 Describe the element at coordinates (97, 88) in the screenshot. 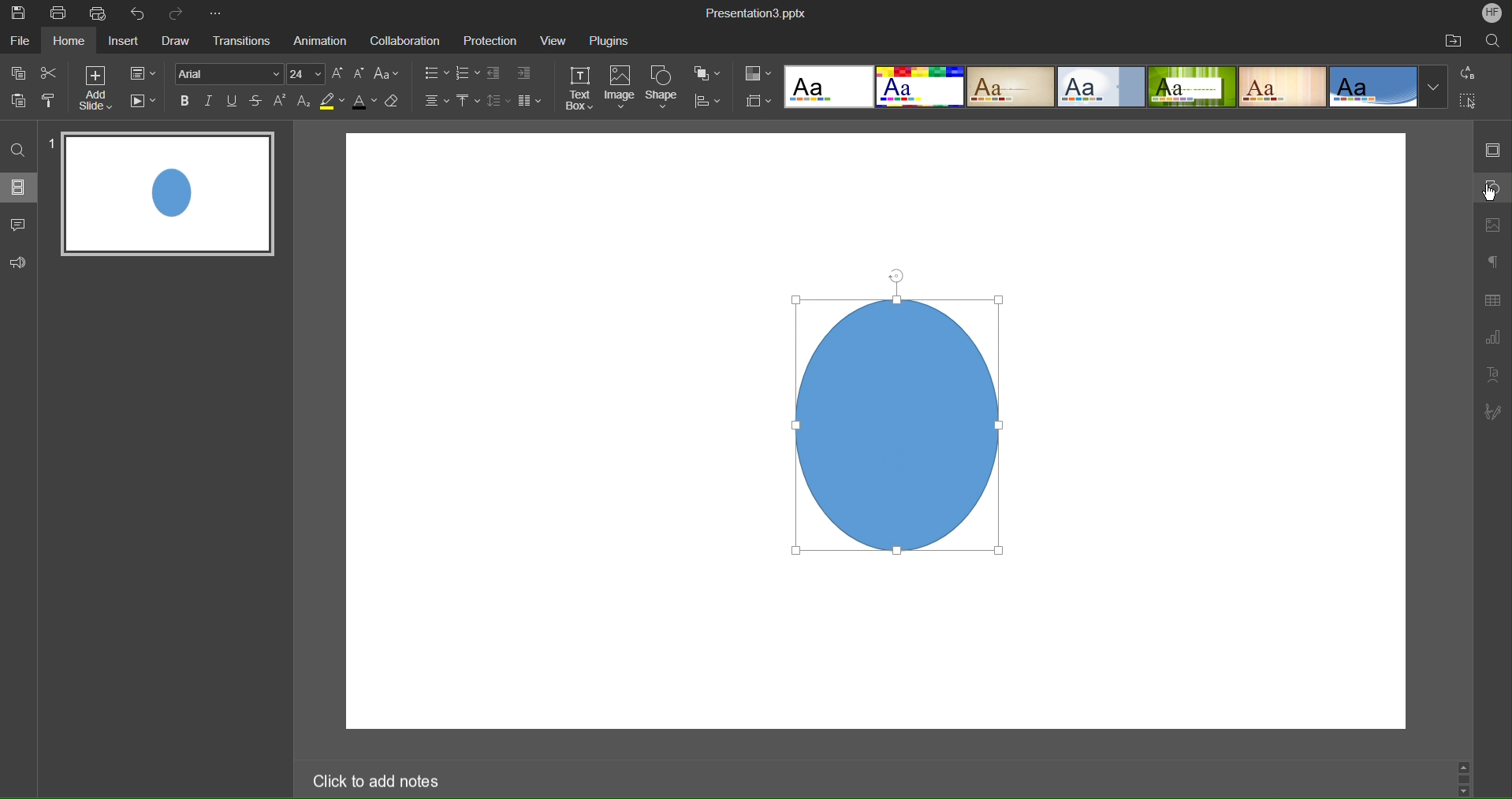

I see `Add Slide` at that location.